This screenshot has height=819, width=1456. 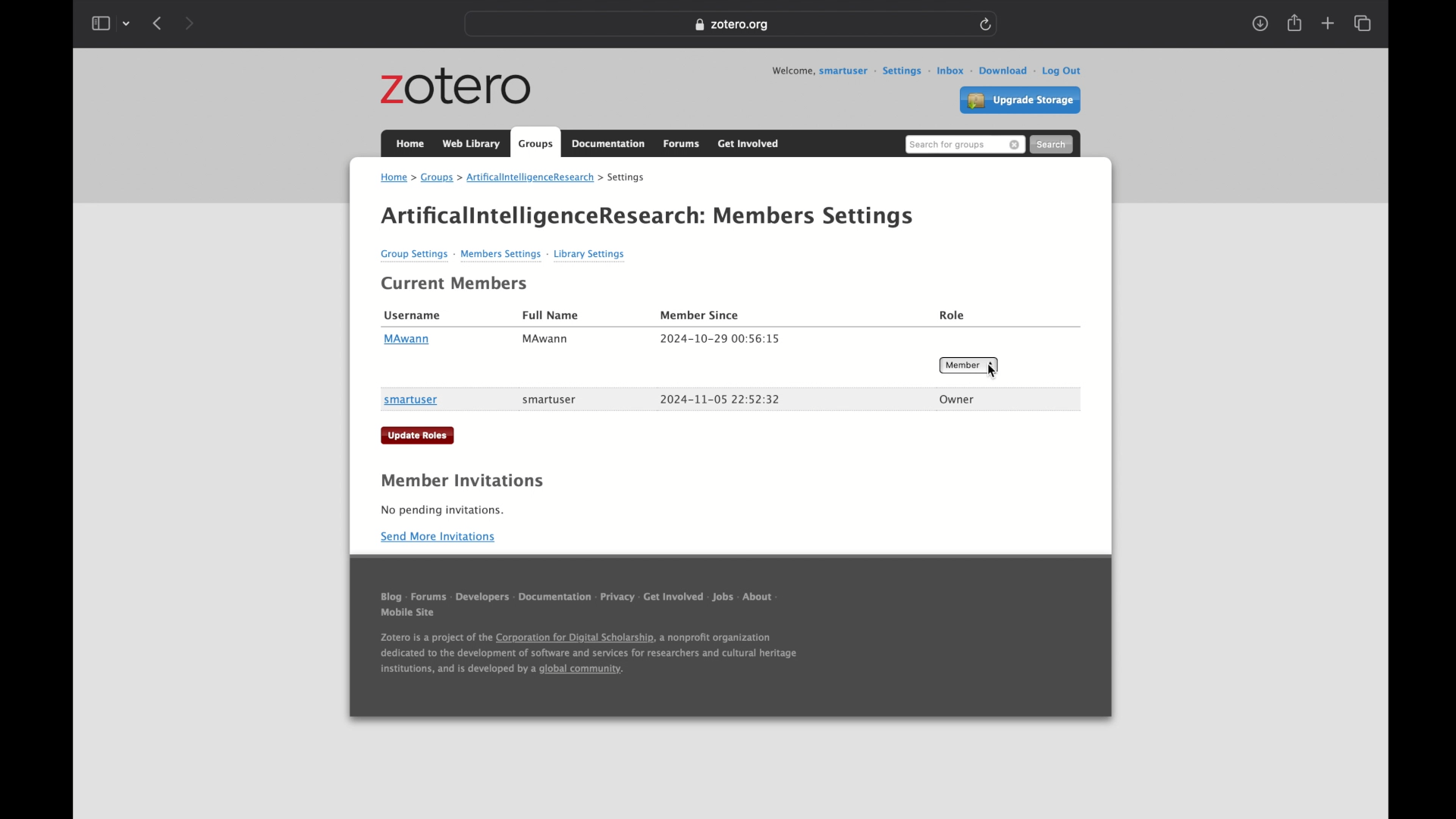 I want to click on group settings, so click(x=416, y=256).